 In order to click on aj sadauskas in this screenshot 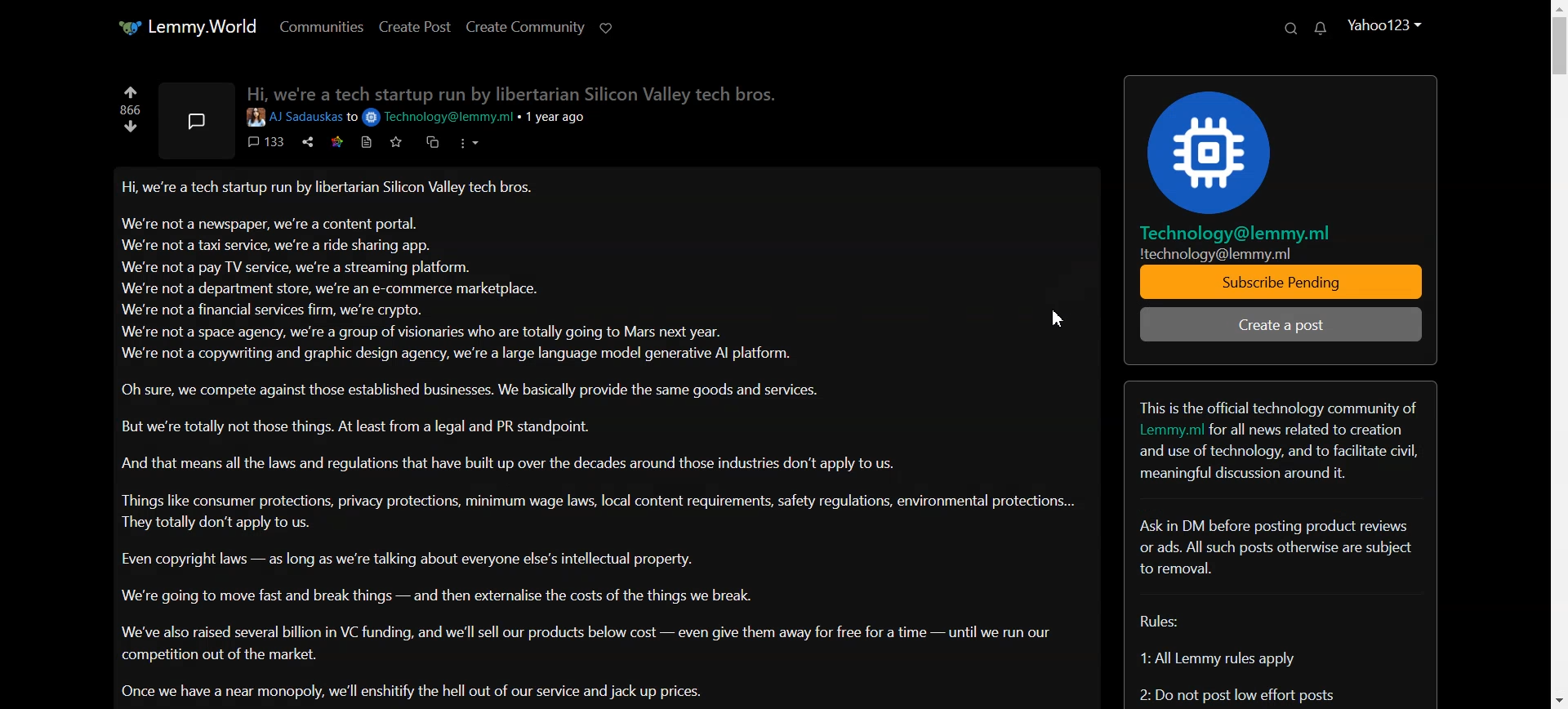, I will do `click(293, 118)`.